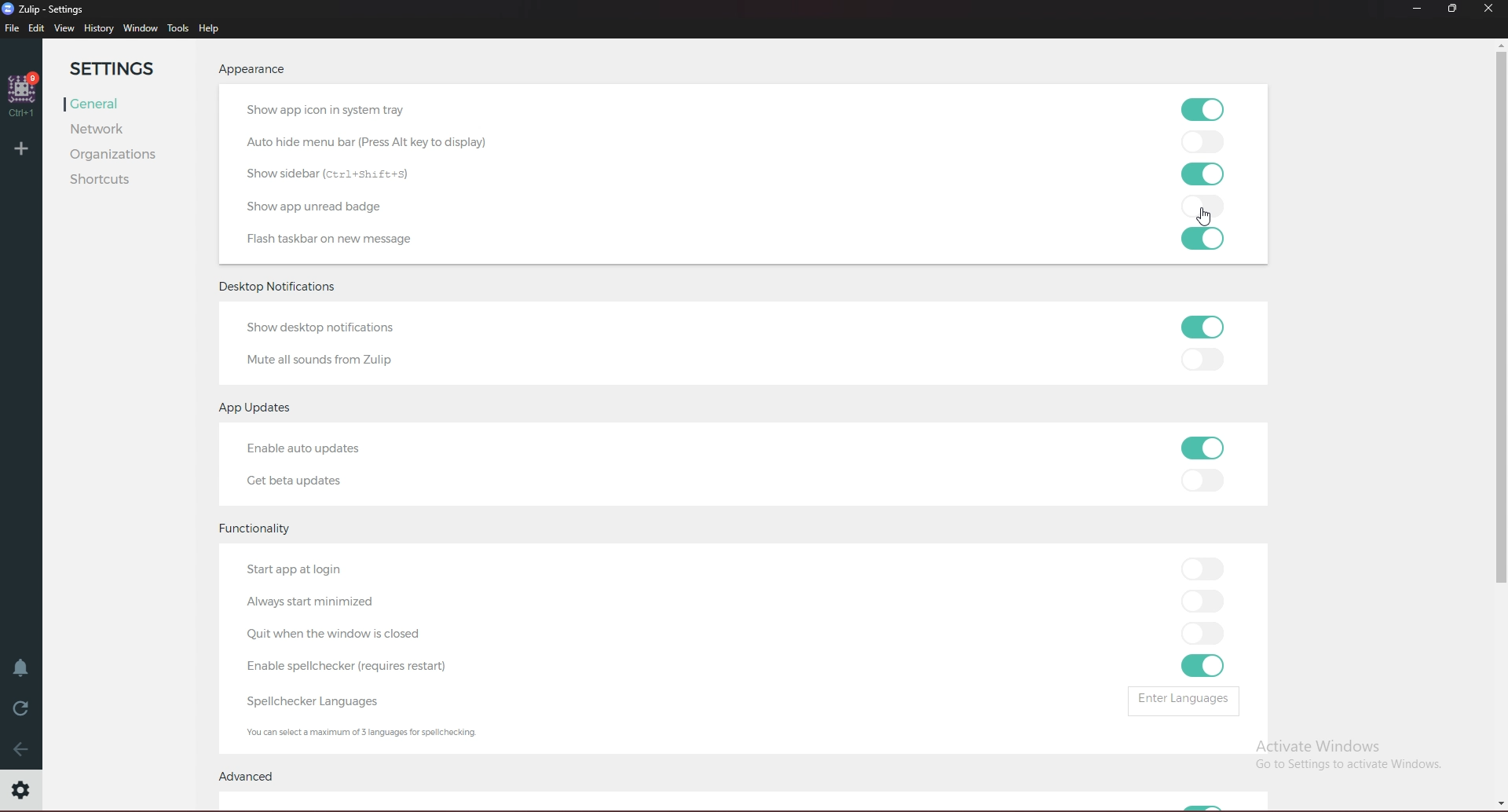 The width and height of the screenshot is (1508, 812). I want to click on Settings, so click(22, 790).